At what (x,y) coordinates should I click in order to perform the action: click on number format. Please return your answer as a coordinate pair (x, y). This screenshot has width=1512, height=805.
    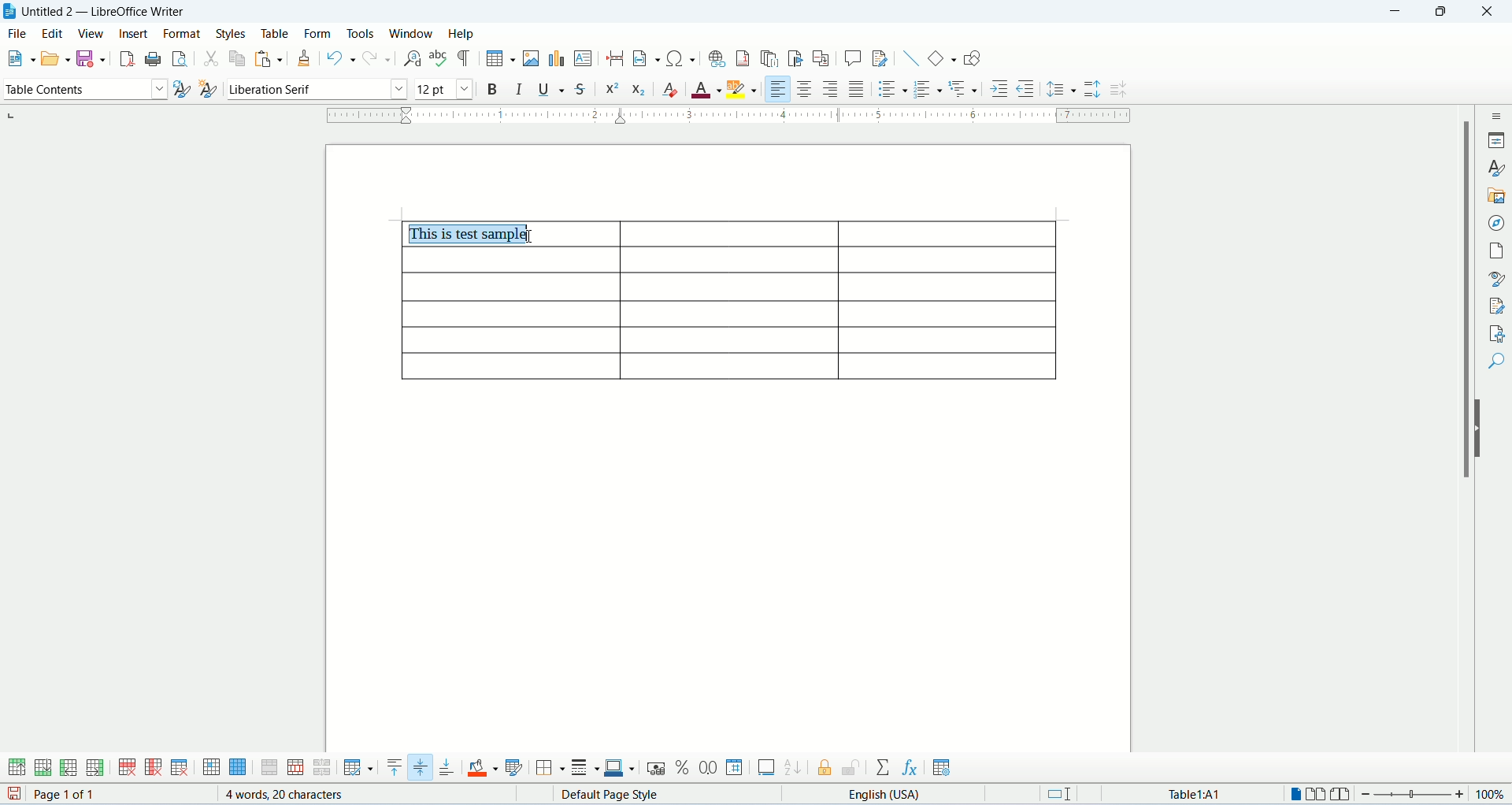
    Looking at the image, I should click on (736, 768).